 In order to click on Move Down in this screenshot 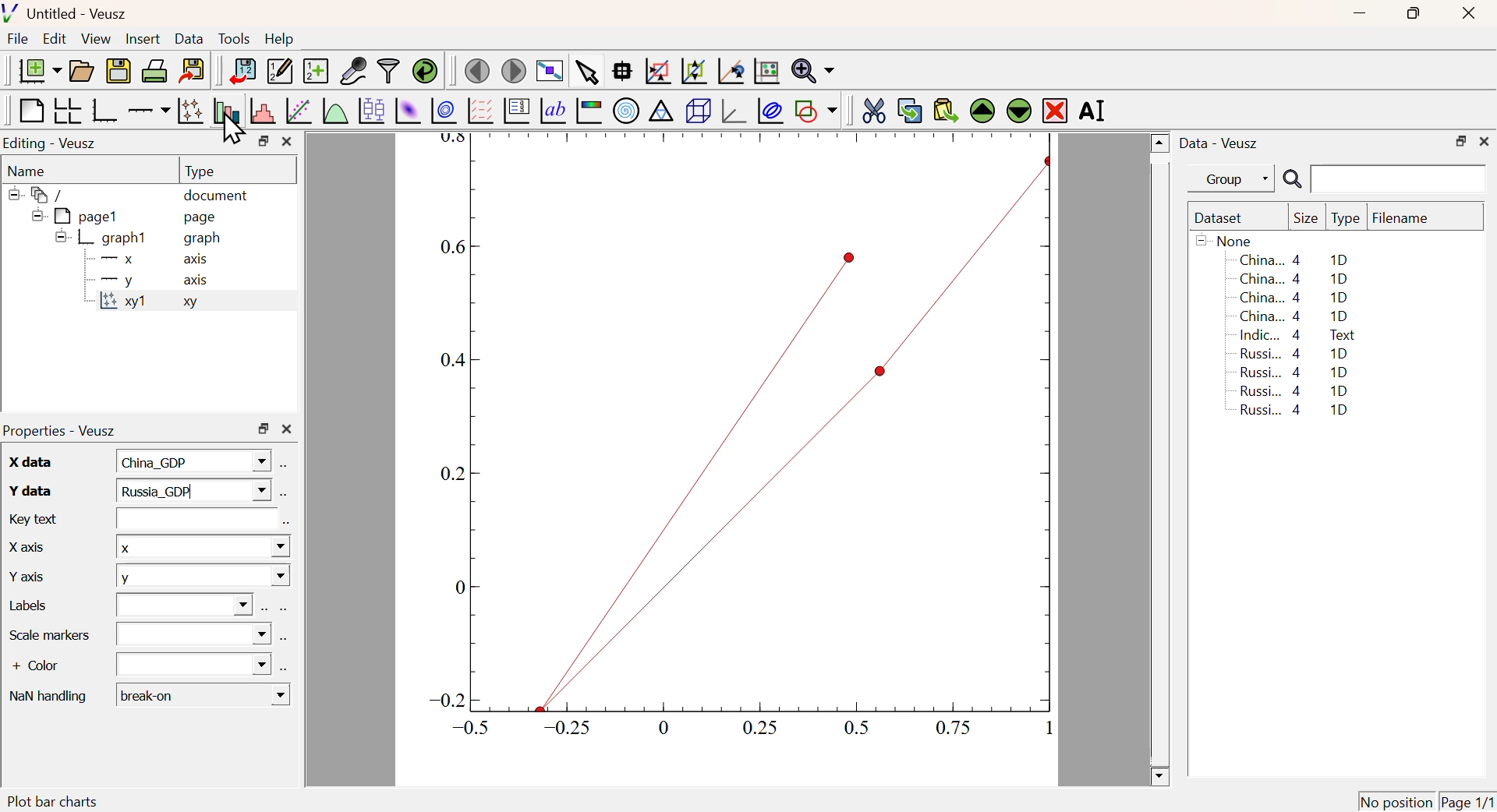, I will do `click(1018, 110)`.